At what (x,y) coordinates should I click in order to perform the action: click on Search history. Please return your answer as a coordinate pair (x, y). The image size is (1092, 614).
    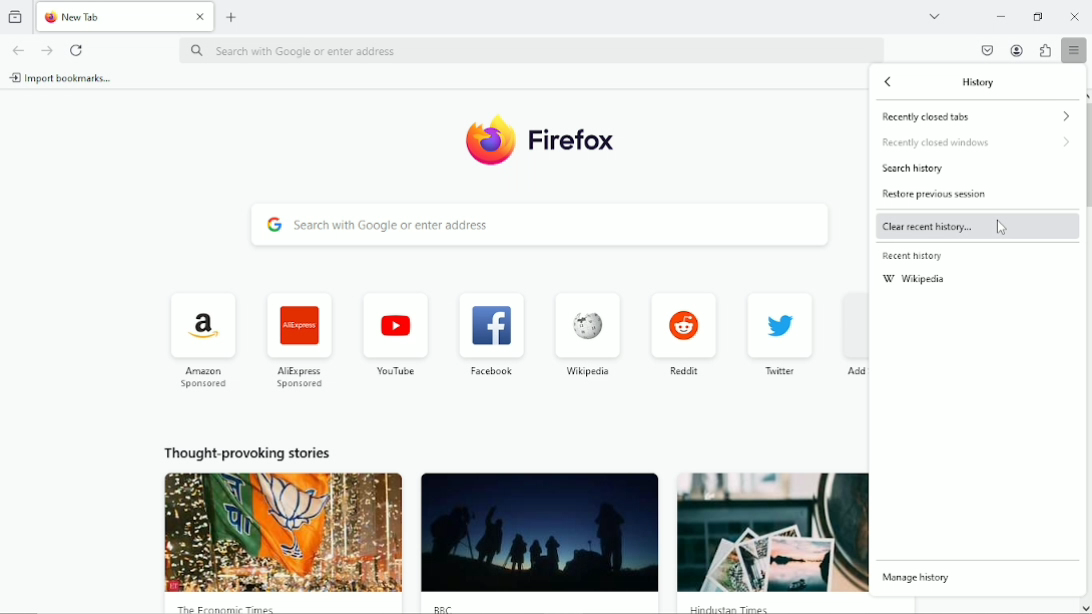
    Looking at the image, I should click on (915, 170).